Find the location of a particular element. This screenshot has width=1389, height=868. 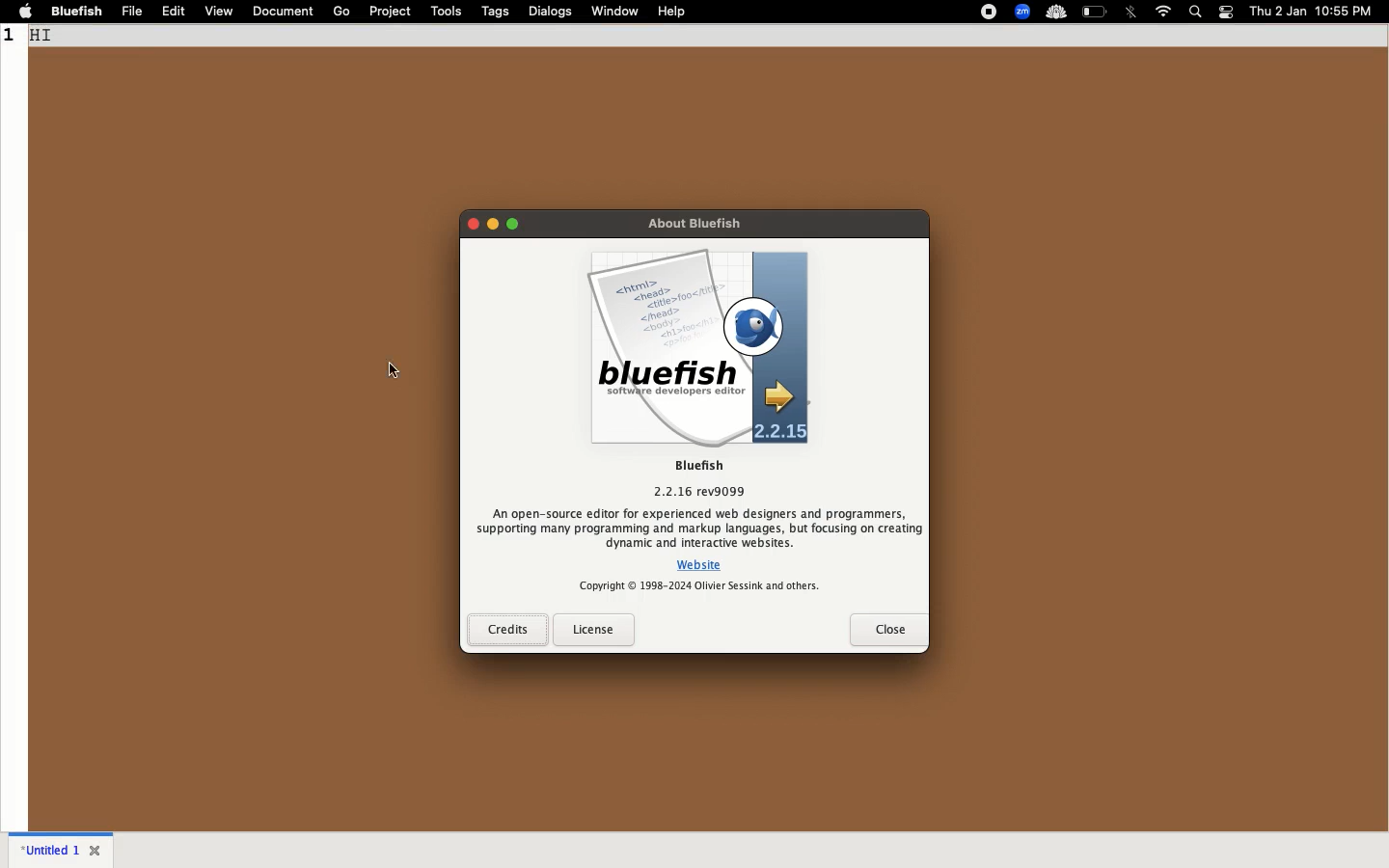

bluefish 2.2.16 is located at coordinates (698, 477).